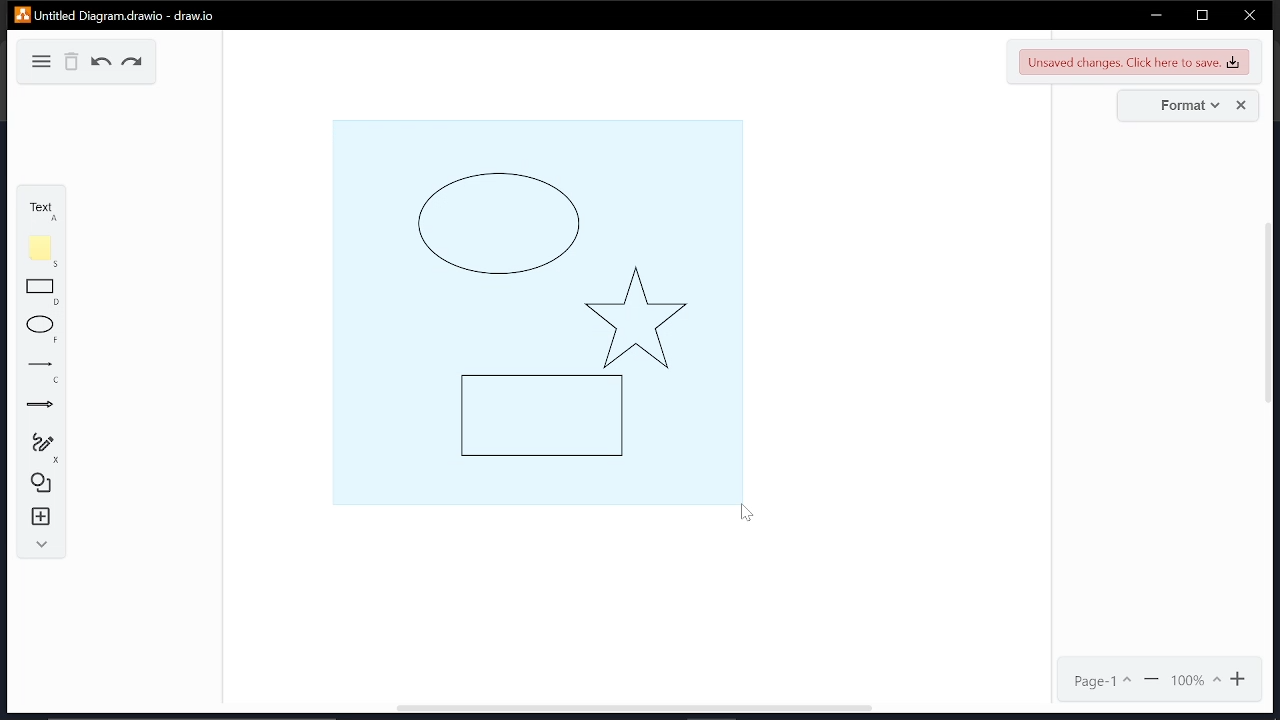 This screenshot has height=720, width=1280. What do you see at coordinates (1103, 681) in the screenshot?
I see `page1` at bounding box center [1103, 681].